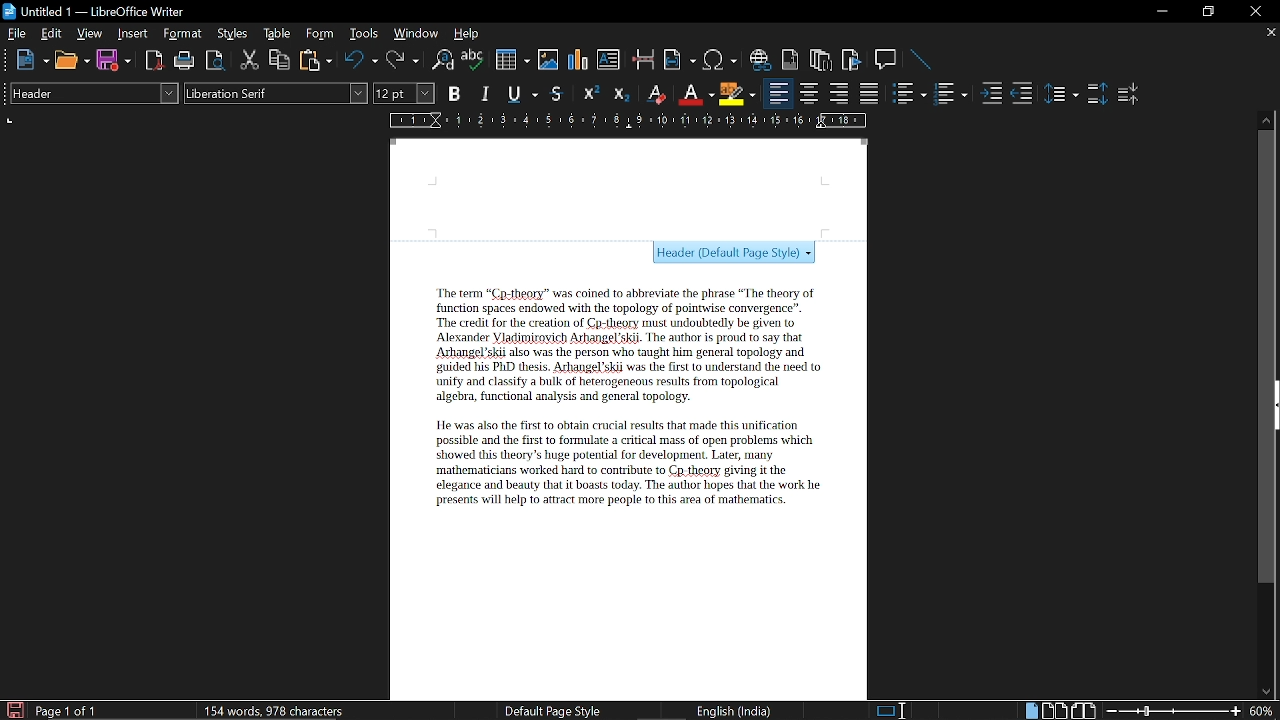 This screenshot has width=1280, height=720. Describe the element at coordinates (736, 711) in the screenshot. I see ` language` at that location.